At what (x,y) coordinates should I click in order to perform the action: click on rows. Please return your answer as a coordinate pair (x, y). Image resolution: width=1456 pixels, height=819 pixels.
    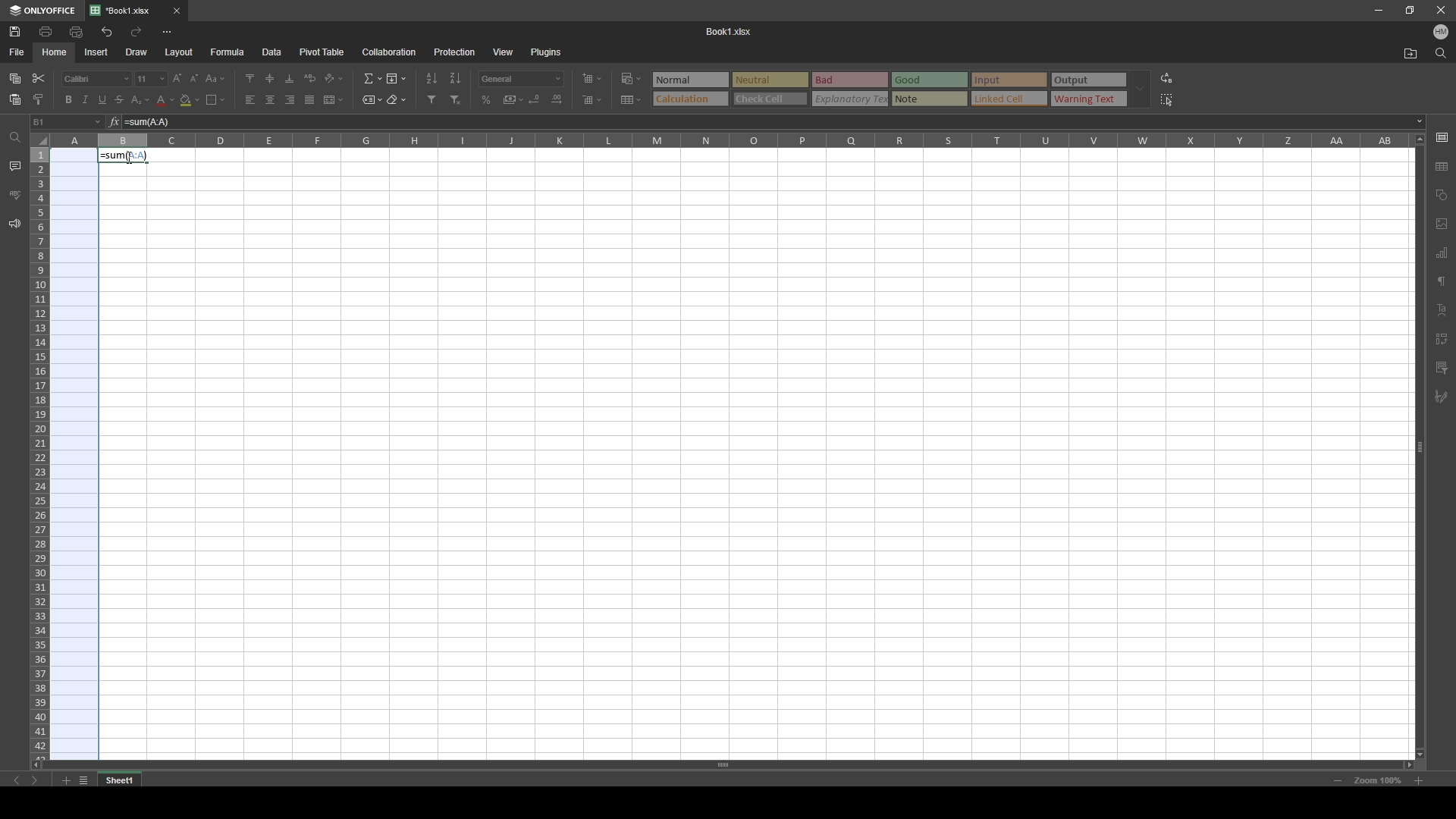
    Looking at the image, I should click on (39, 451).